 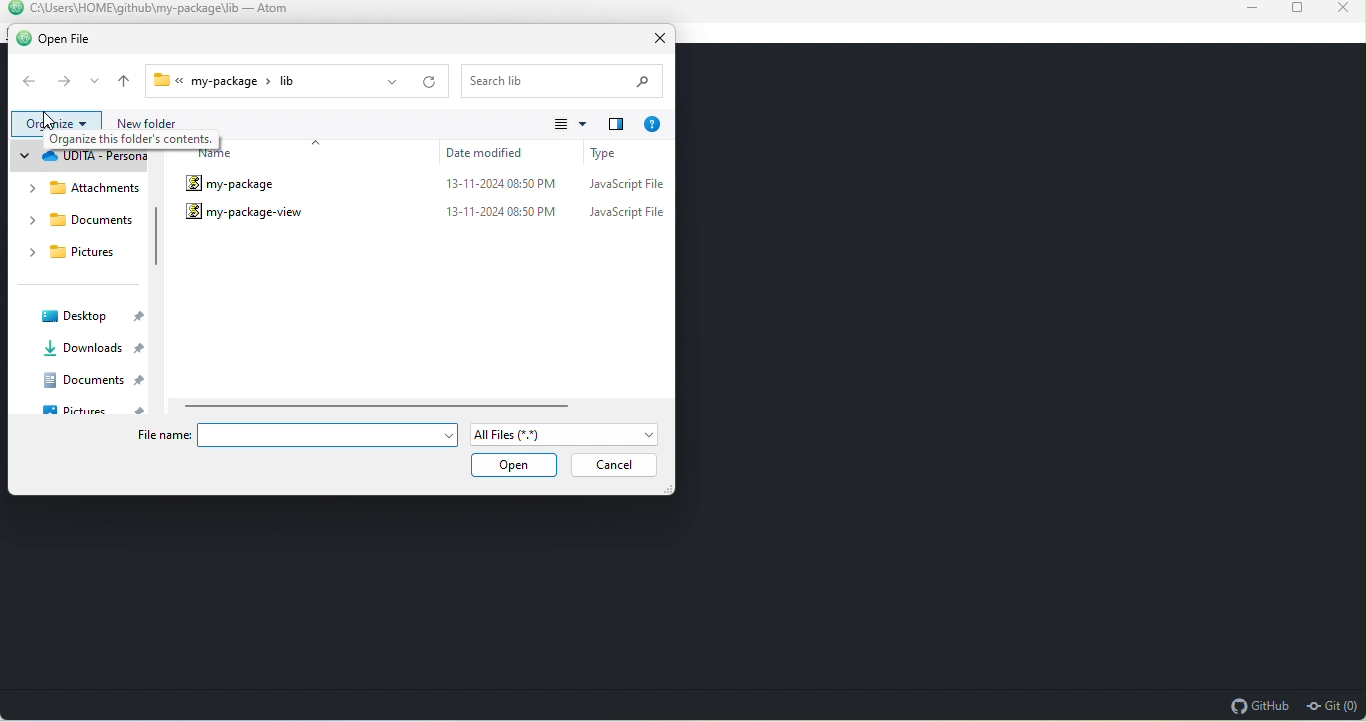 What do you see at coordinates (325, 150) in the screenshot?
I see `sort order` at bounding box center [325, 150].